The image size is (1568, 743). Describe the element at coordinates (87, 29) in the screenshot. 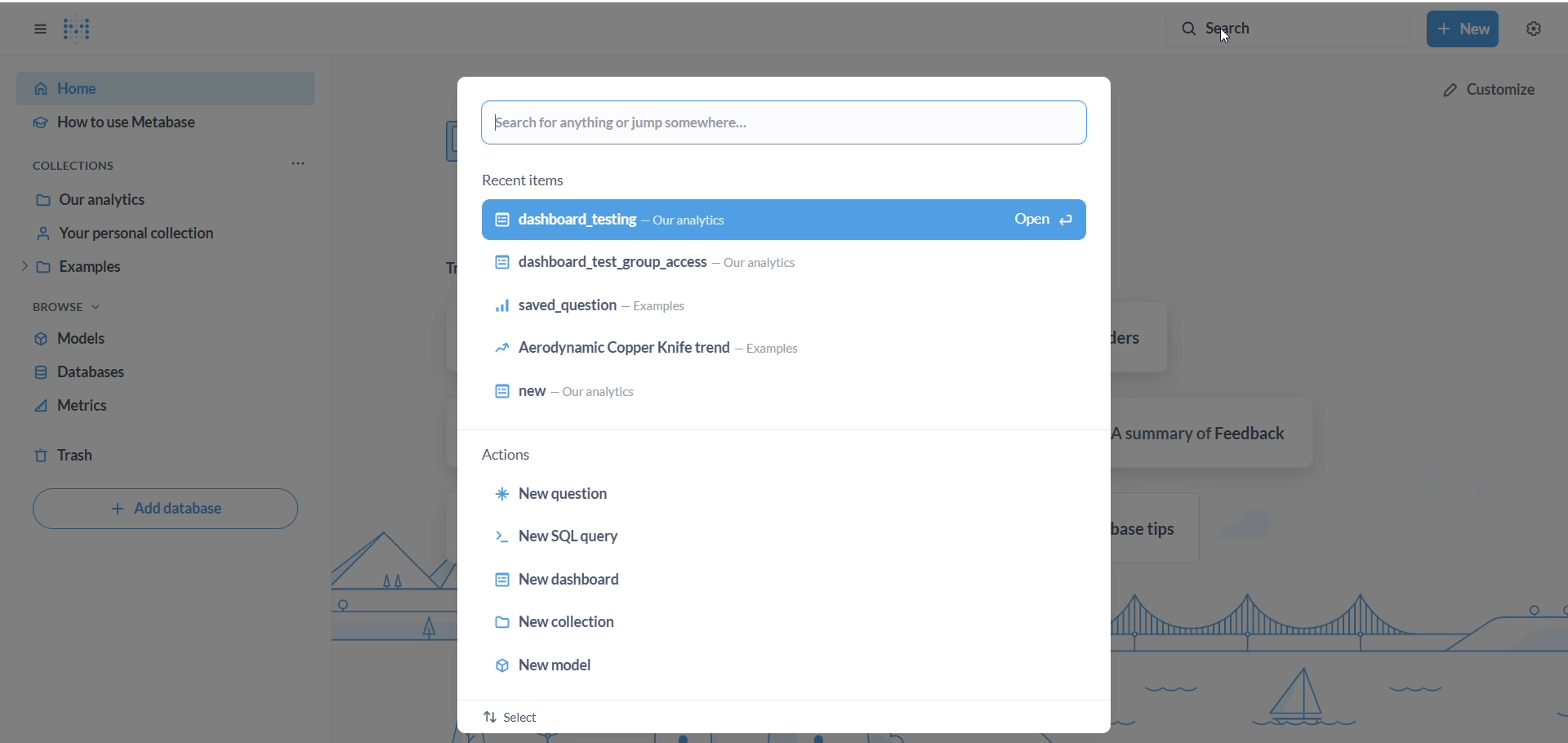

I see `Metabase logo` at that location.